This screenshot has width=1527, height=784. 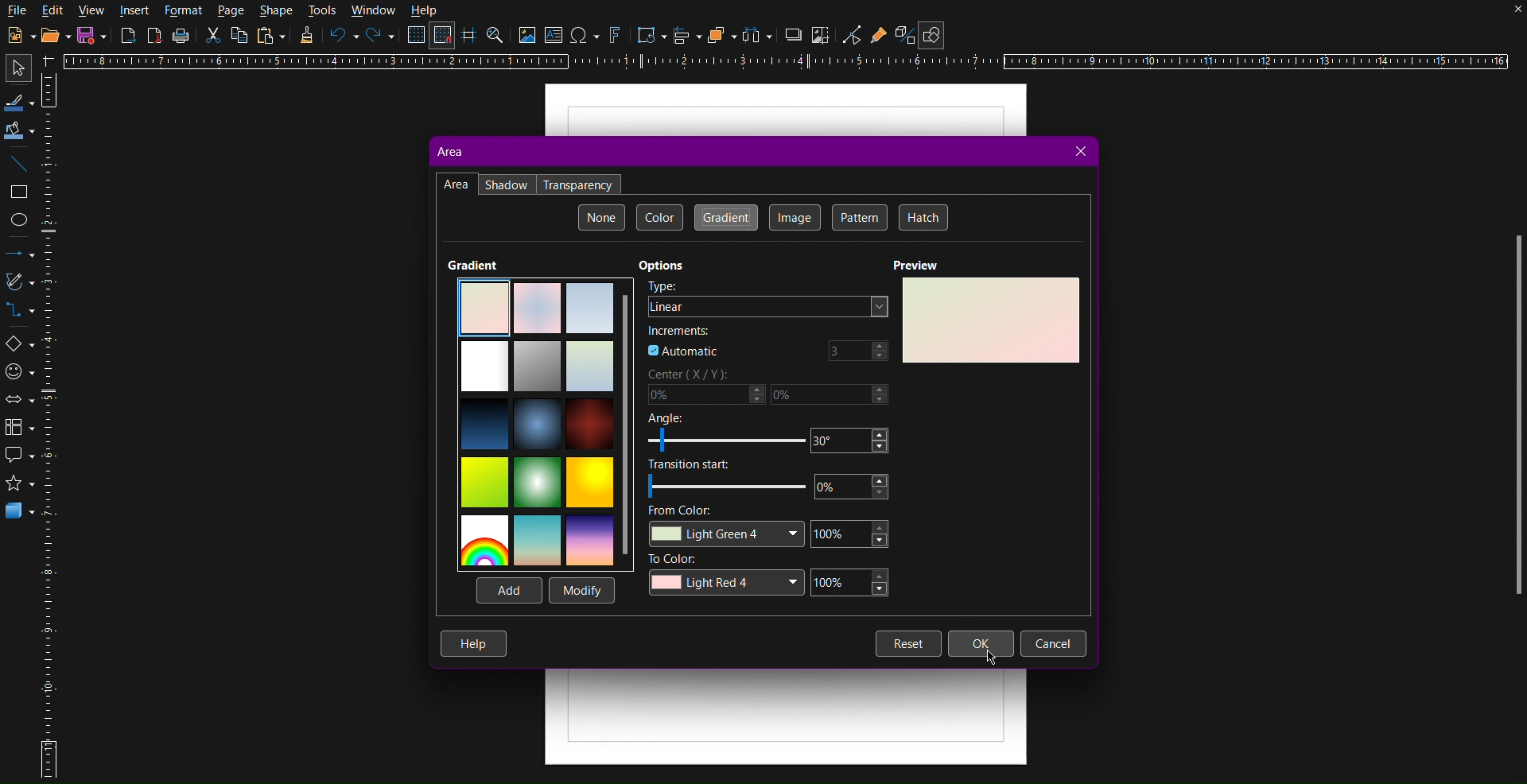 What do you see at coordinates (18, 459) in the screenshot?
I see `Callout Shapes` at bounding box center [18, 459].